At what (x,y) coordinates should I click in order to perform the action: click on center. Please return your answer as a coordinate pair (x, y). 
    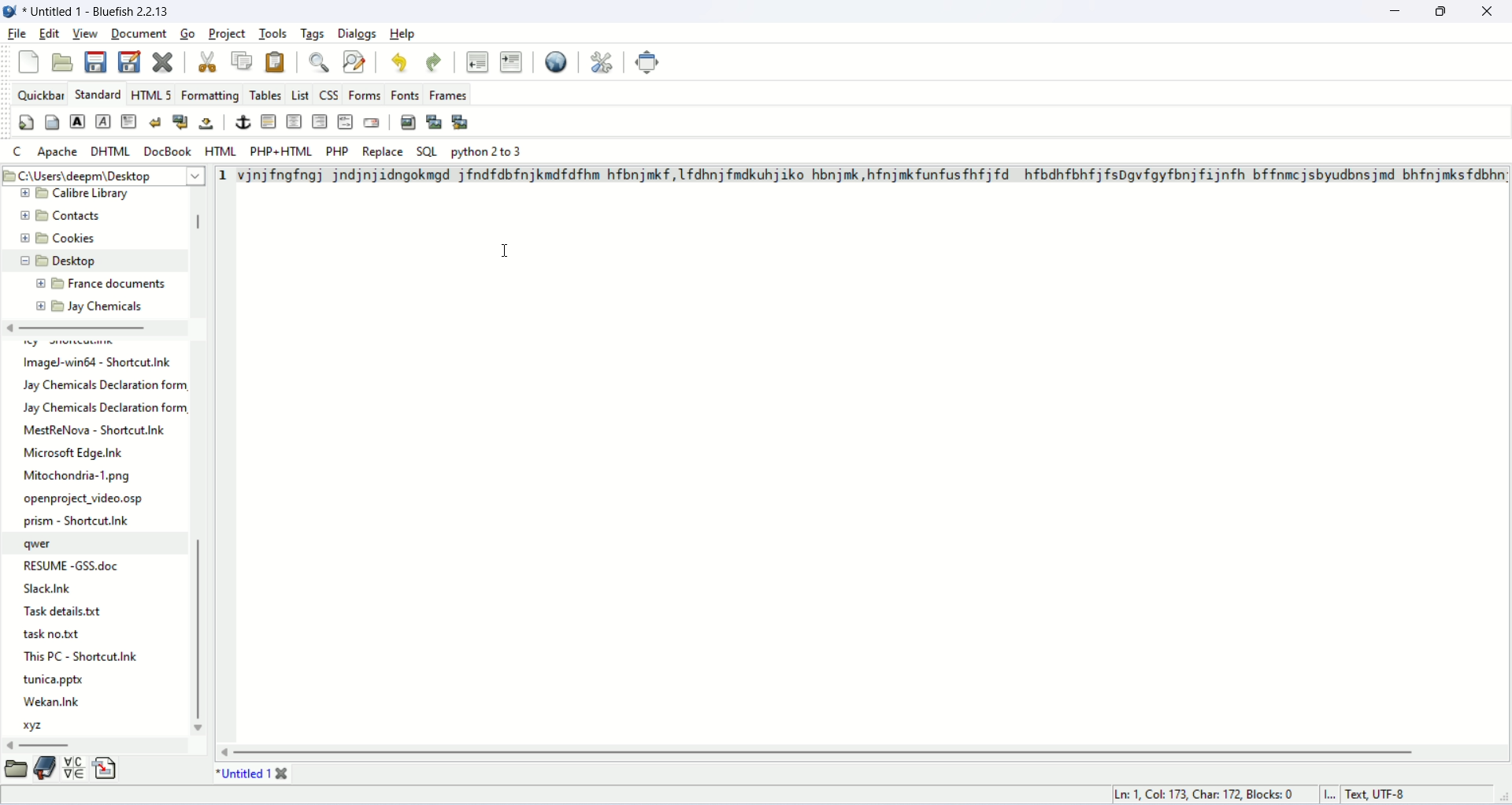
    Looking at the image, I should click on (295, 121).